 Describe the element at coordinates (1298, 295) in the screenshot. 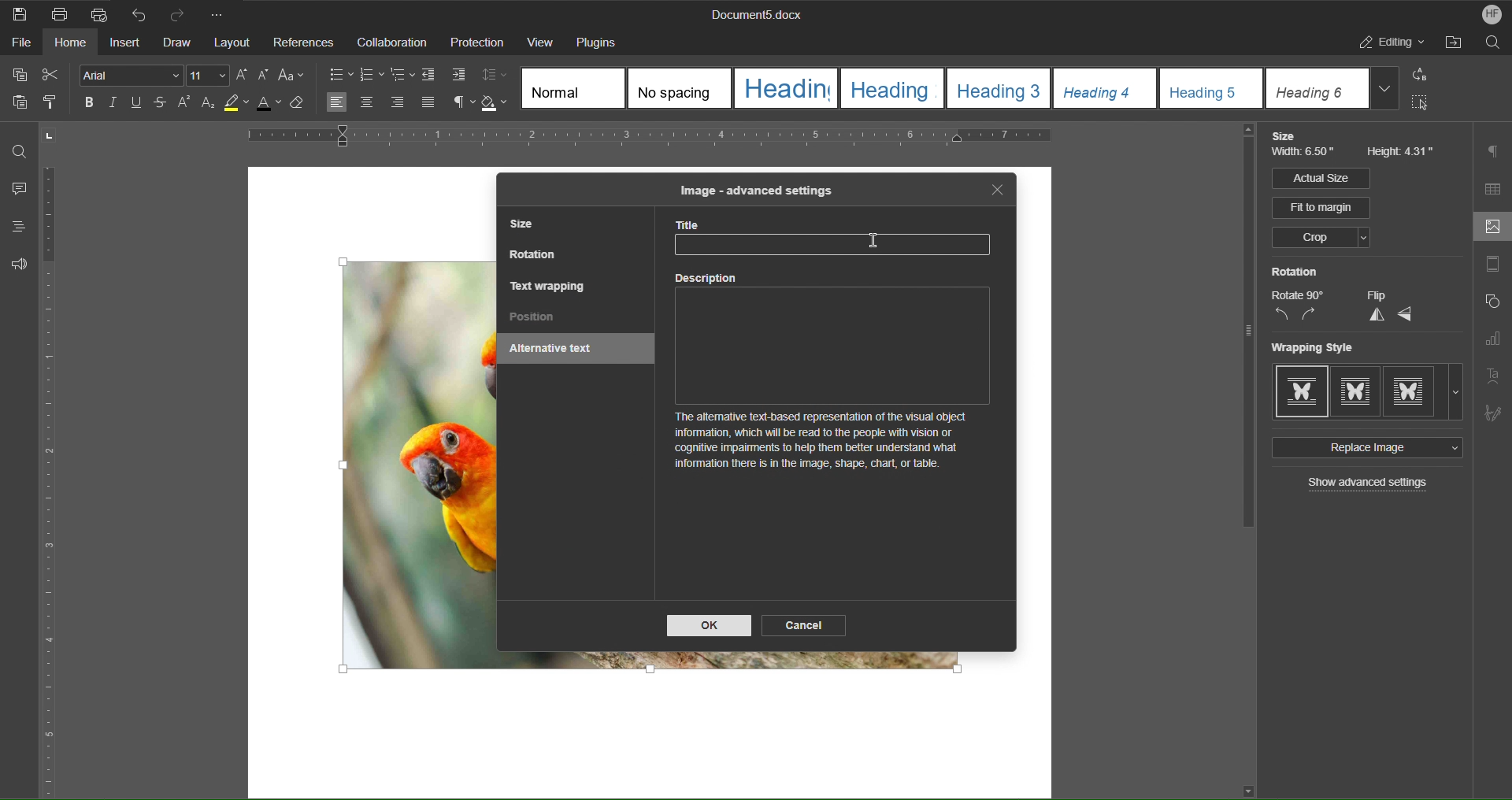

I see `Rotate 90` at that location.